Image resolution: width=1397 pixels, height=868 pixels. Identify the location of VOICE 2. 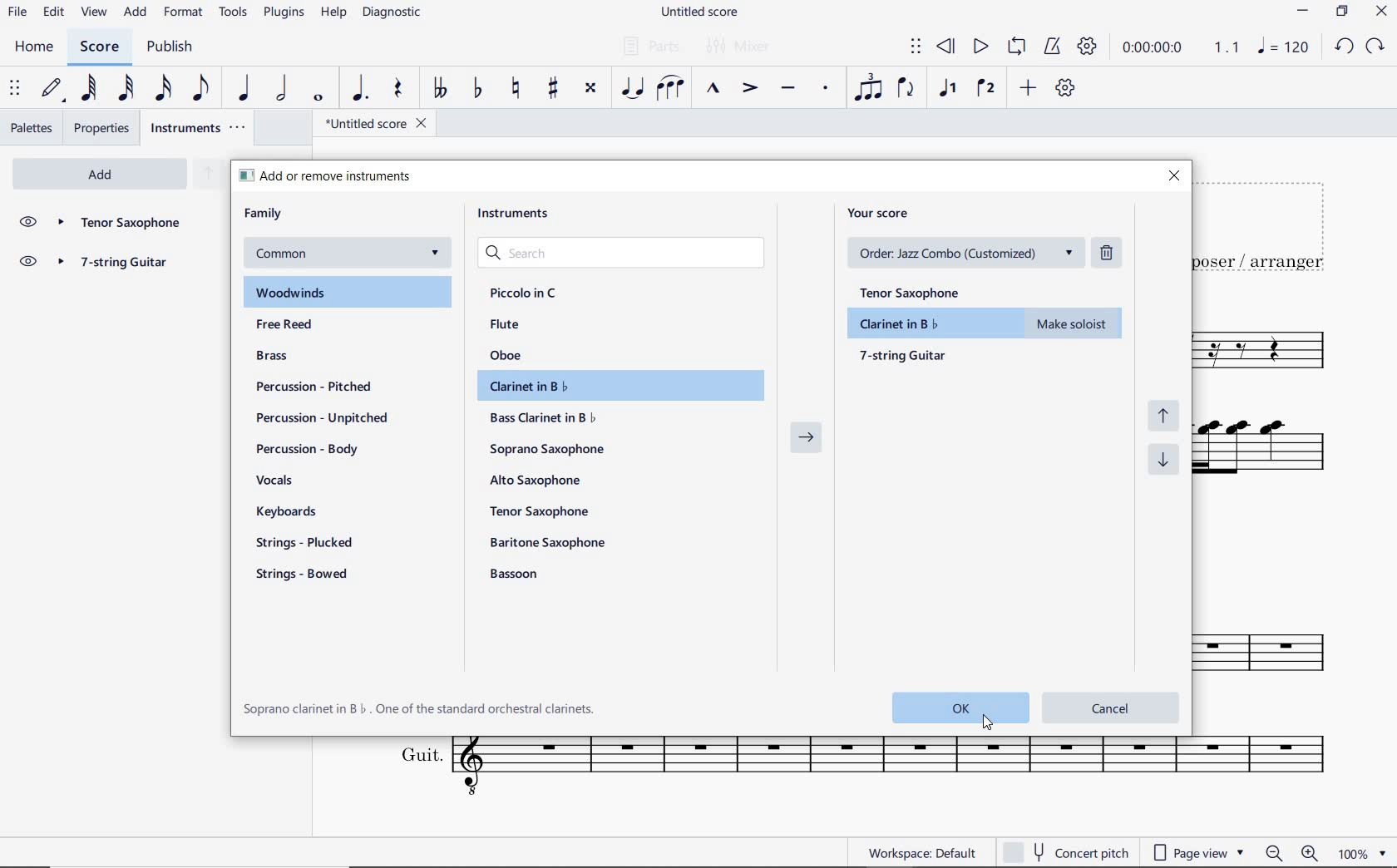
(988, 89).